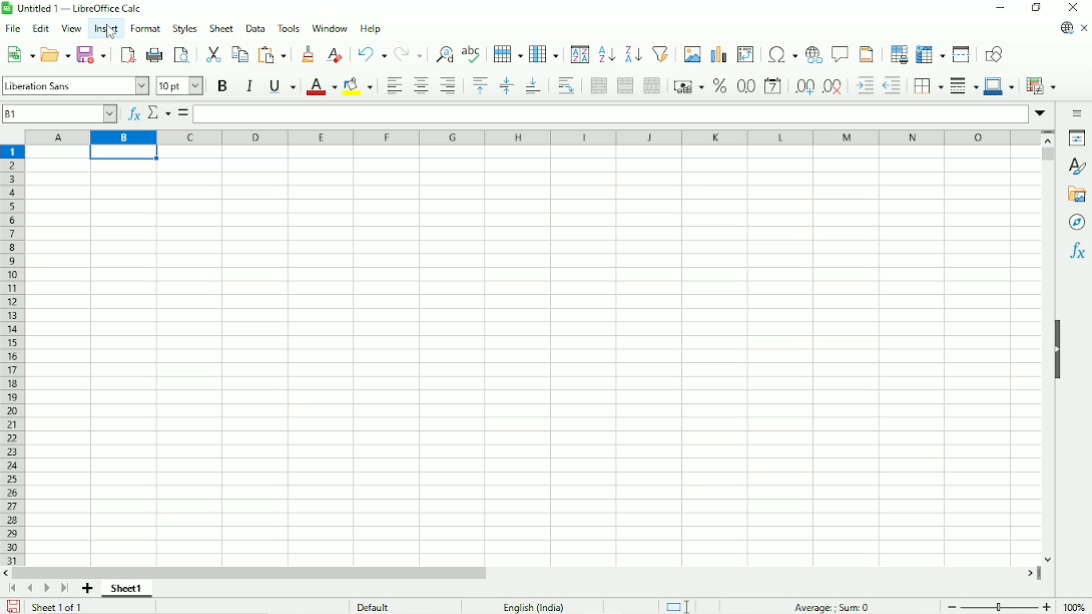 This screenshot has width=1092, height=614. What do you see at coordinates (679, 604) in the screenshot?
I see `Standard selection` at bounding box center [679, 604].